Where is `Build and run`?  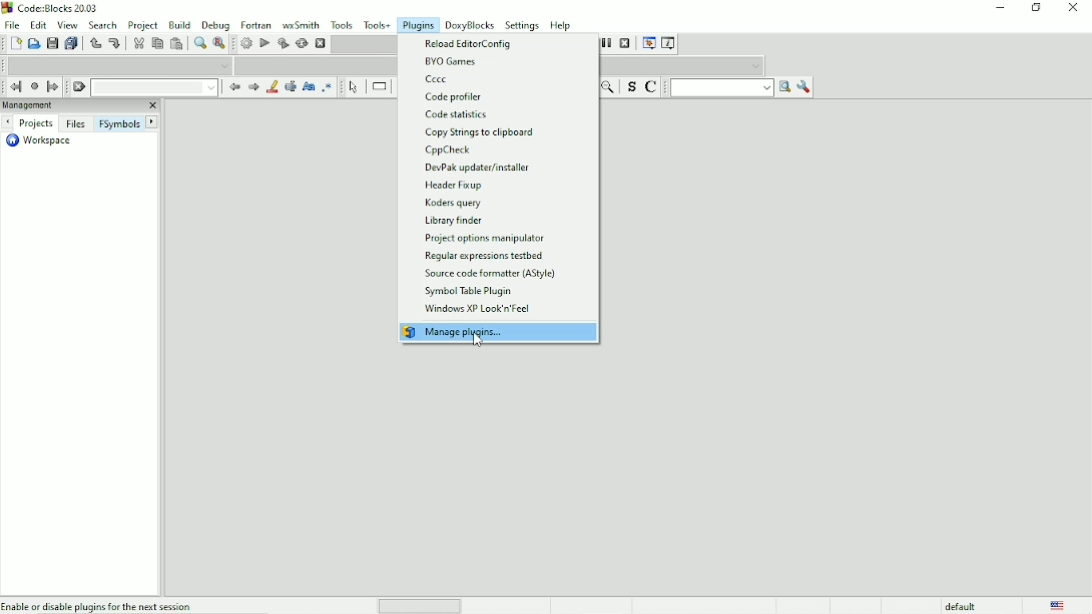
Build and run is located at coordinates (283, 43).